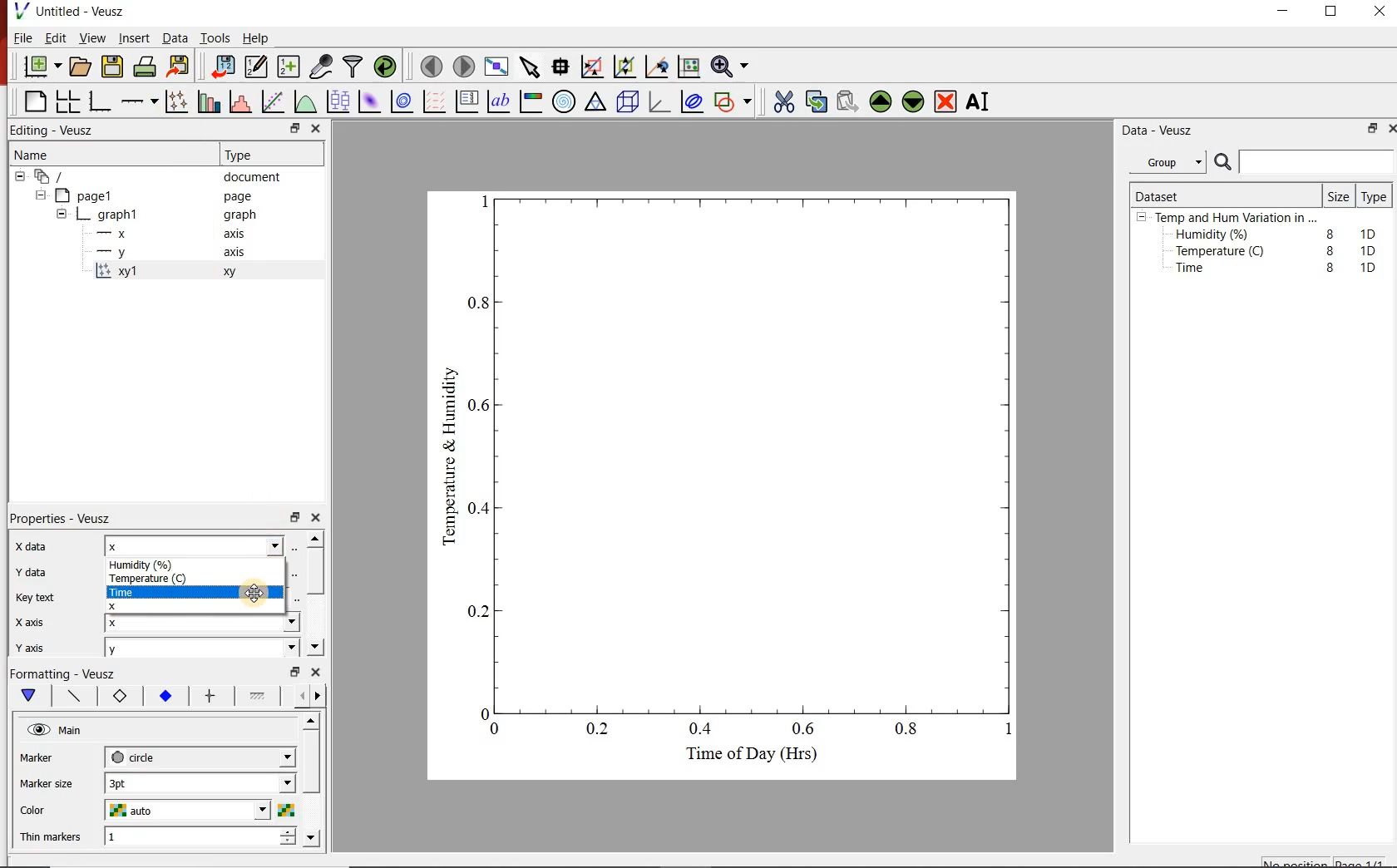  I want to click on 0.2, so click(476, 611).